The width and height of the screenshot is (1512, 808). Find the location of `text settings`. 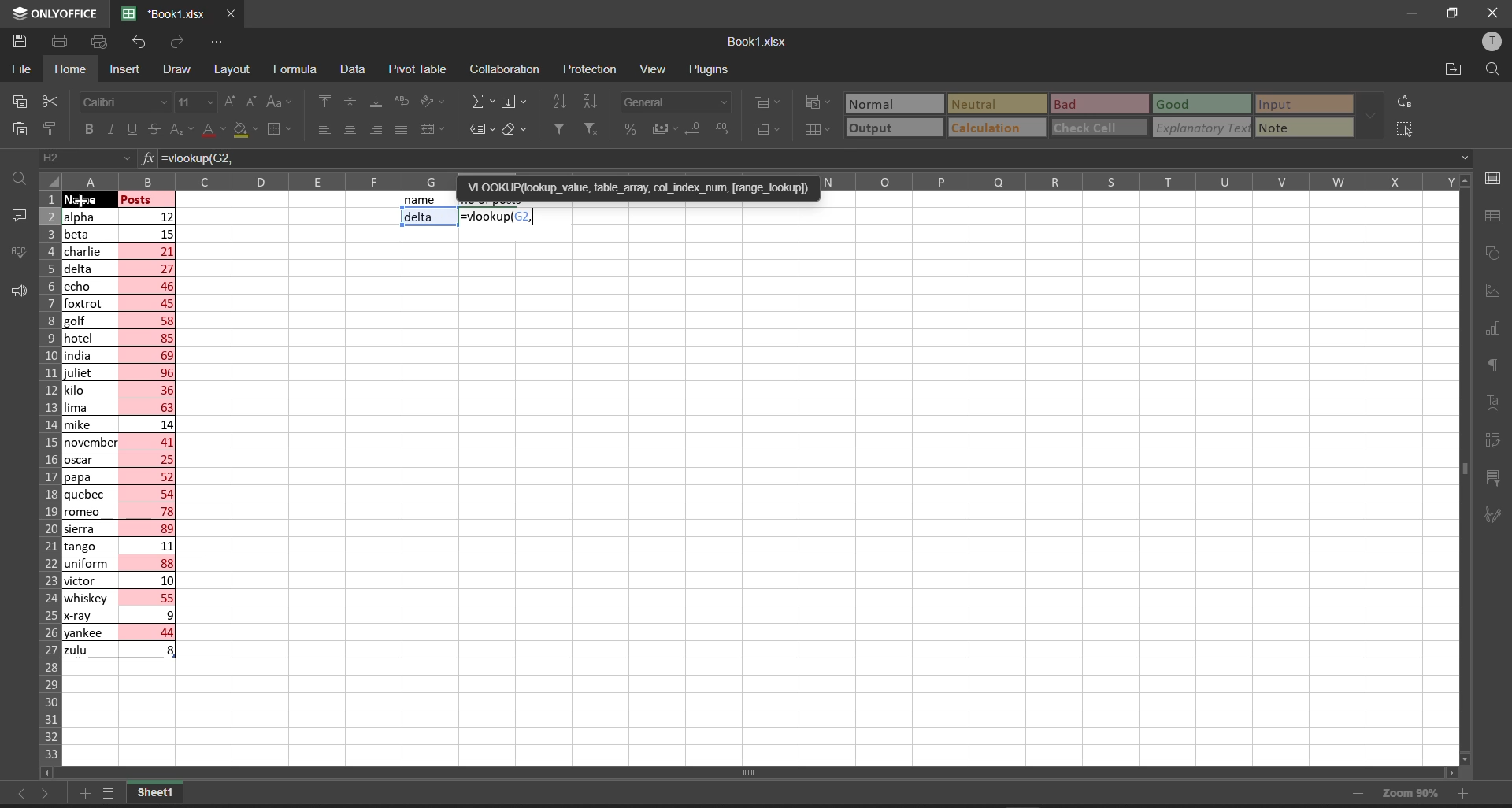

text settings is located at coordinates (1497, 402).